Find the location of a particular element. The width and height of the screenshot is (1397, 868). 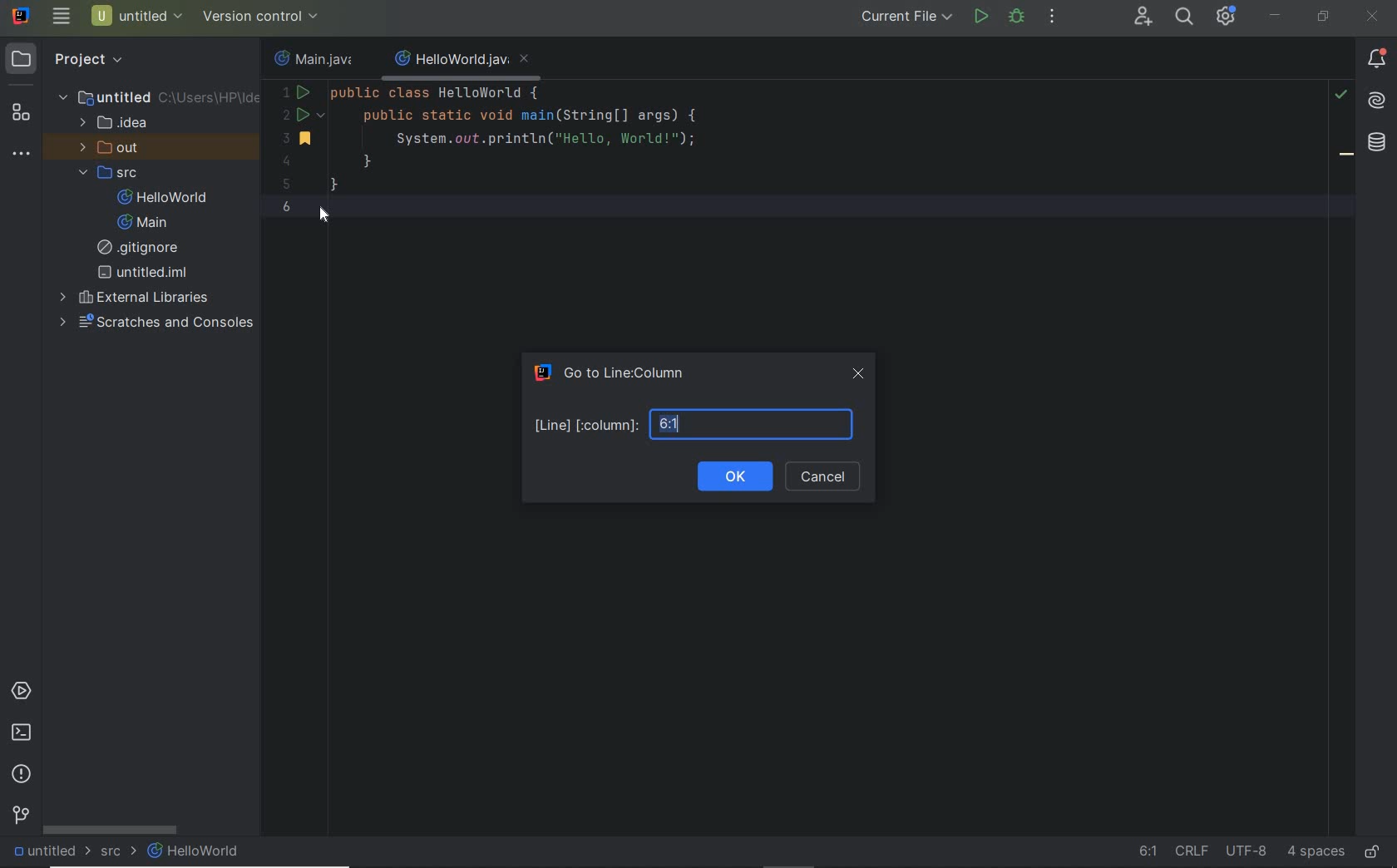

untitled is located at coordinates (157, 96).